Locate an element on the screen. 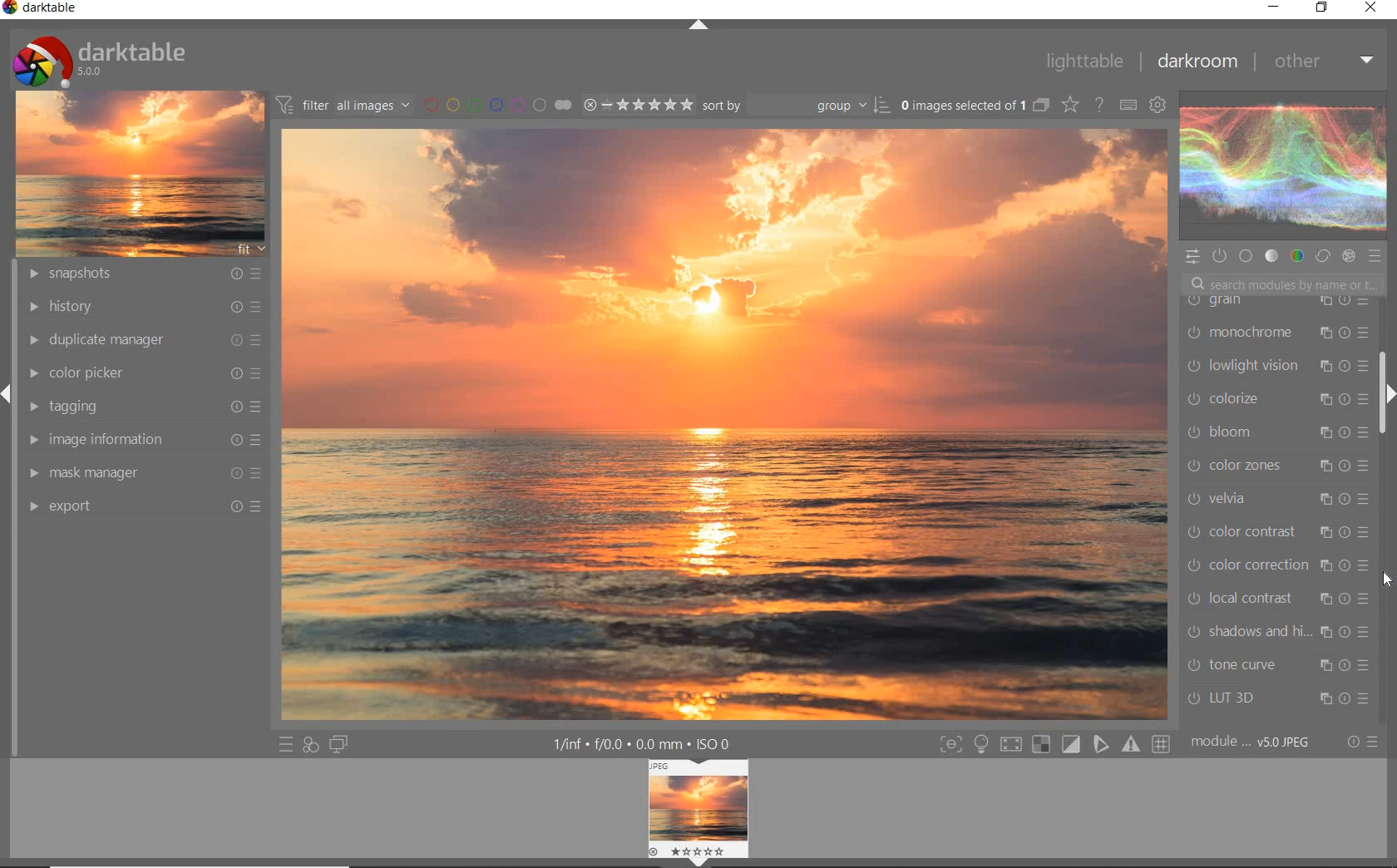  IMAGE INFORMATION is located at coordinates (146, 439).